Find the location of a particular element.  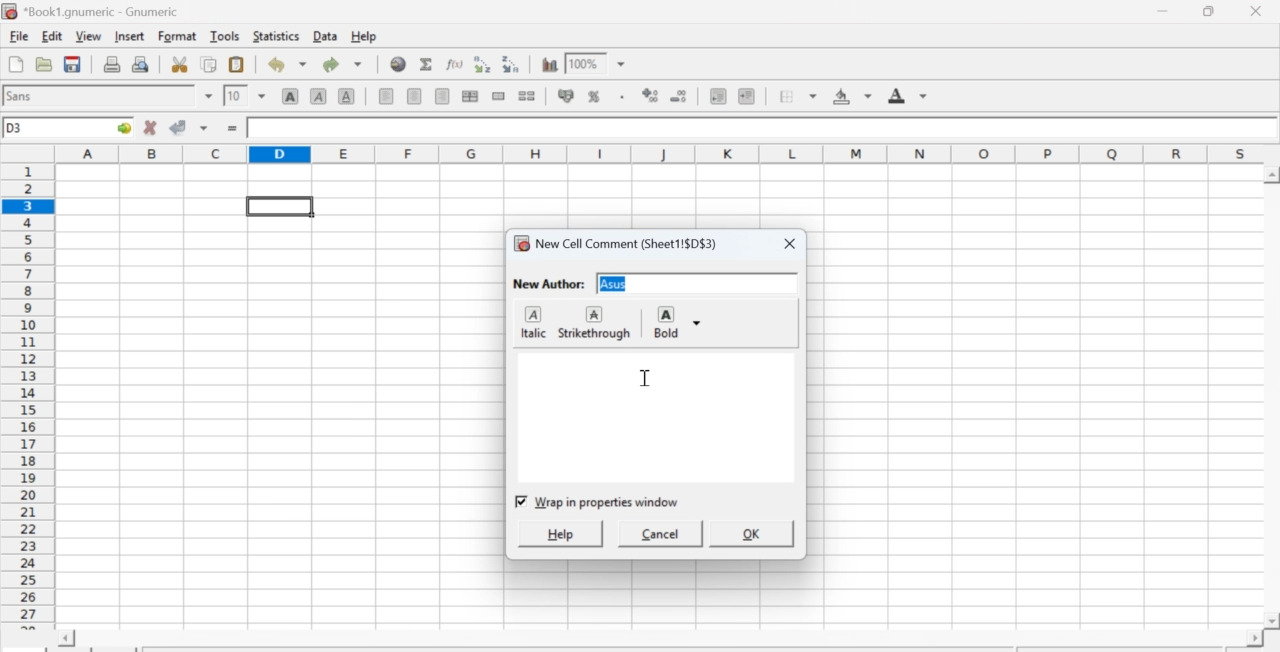

Include thousands separator is located at coordinates (622, 98).